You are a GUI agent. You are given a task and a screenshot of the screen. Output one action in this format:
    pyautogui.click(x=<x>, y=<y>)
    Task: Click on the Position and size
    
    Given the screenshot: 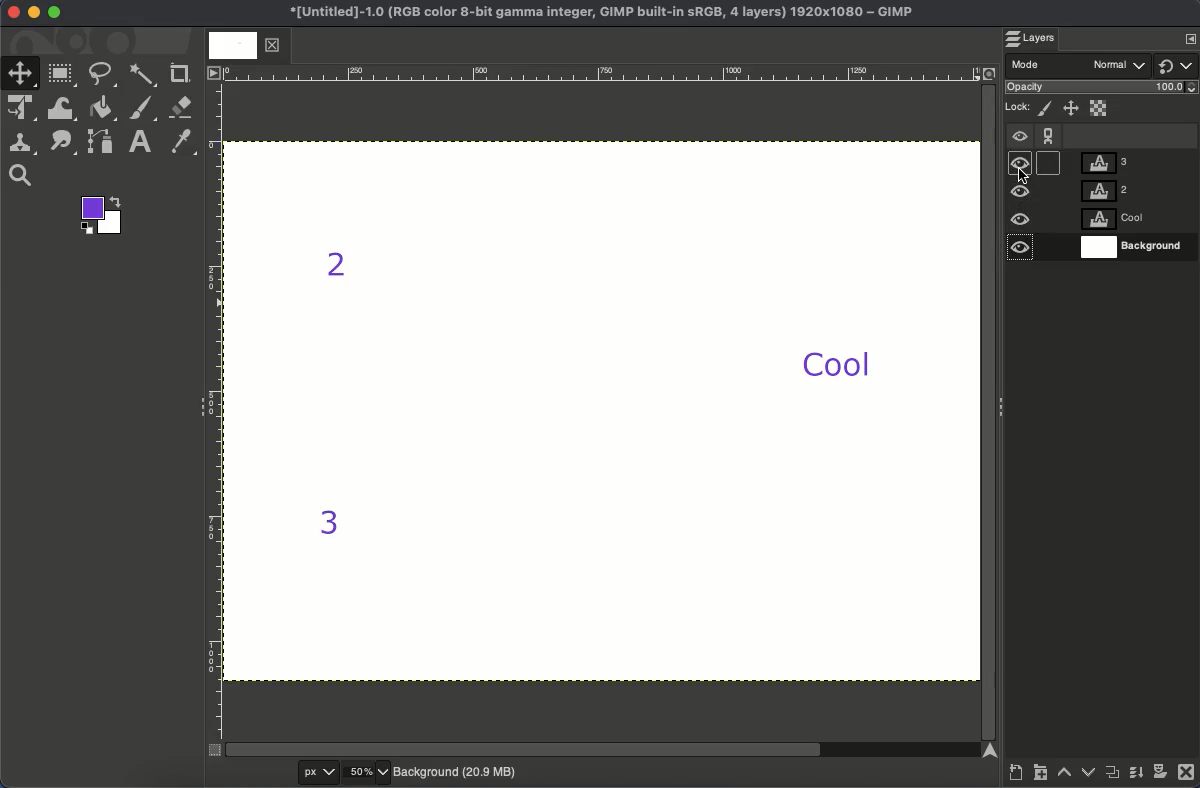 What is the action you would take?
    pyautogui.click(x=1072, y=110)
    